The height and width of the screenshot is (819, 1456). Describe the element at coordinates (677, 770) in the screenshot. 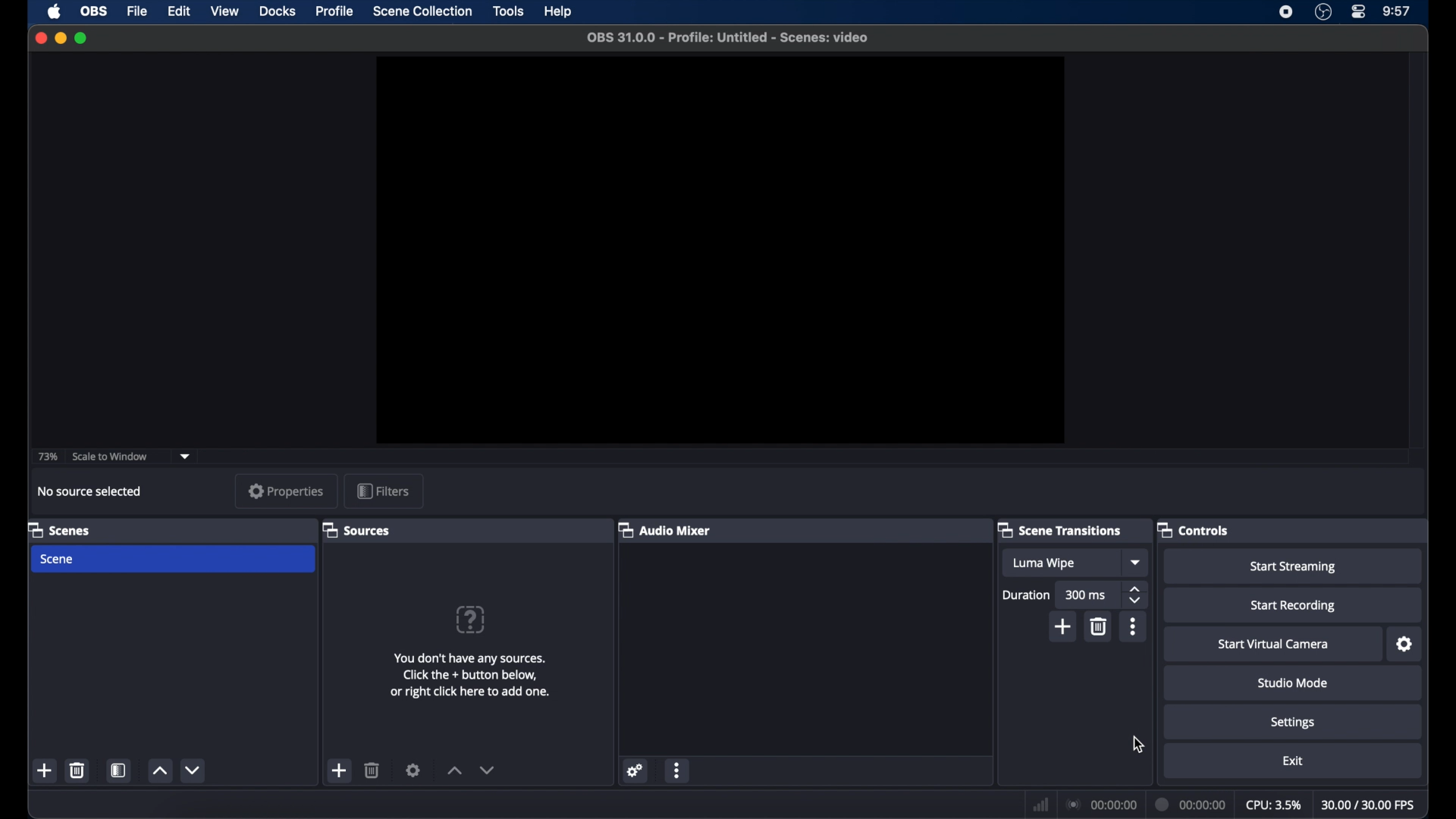

I see `more options` at that location.